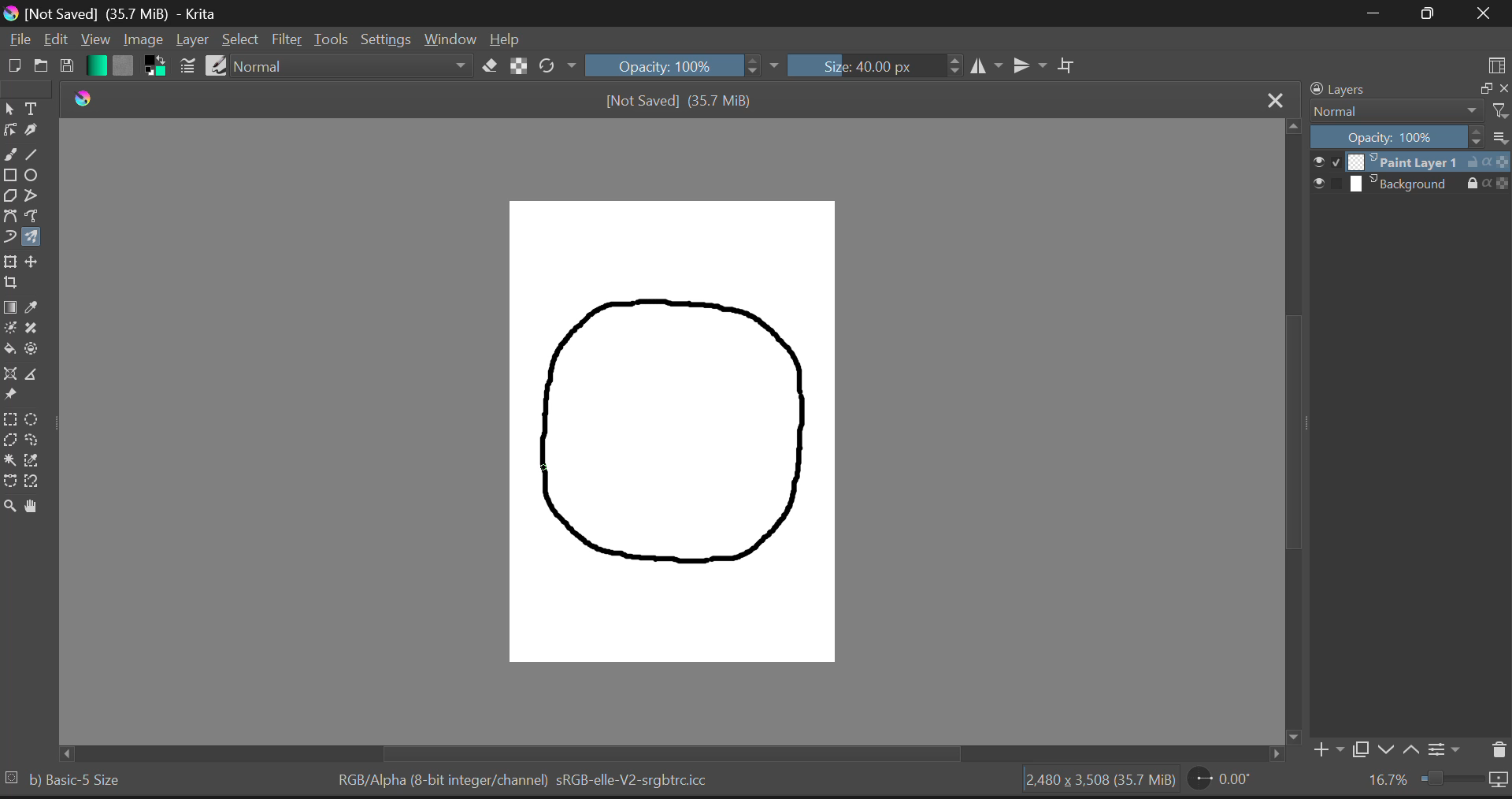 Image resolution: width=1512 pixels, height=799 pixels. I want to click on Freehand, so click(9, 153).